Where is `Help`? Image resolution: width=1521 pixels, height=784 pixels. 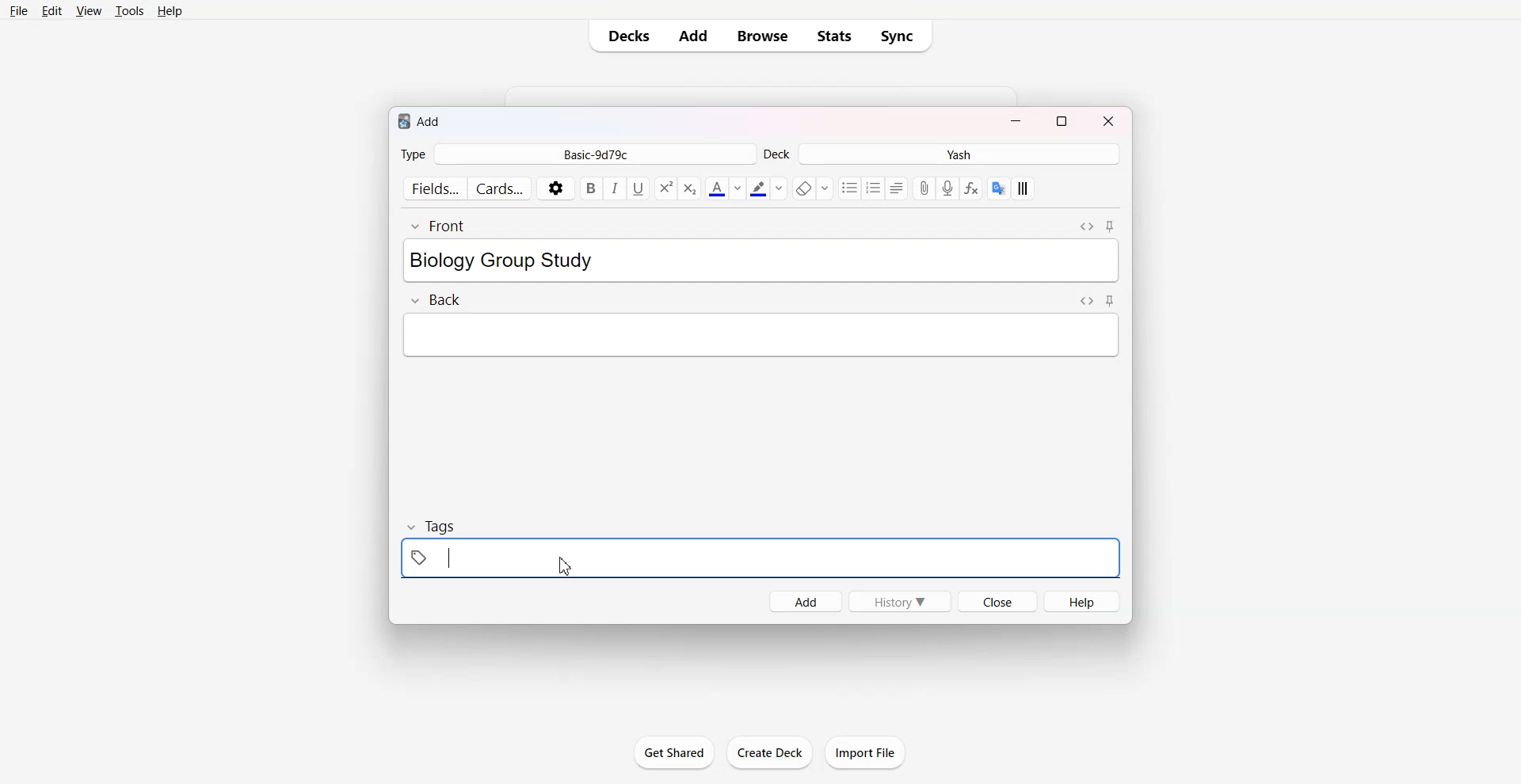
Help is located at coordinates (1081, 601).